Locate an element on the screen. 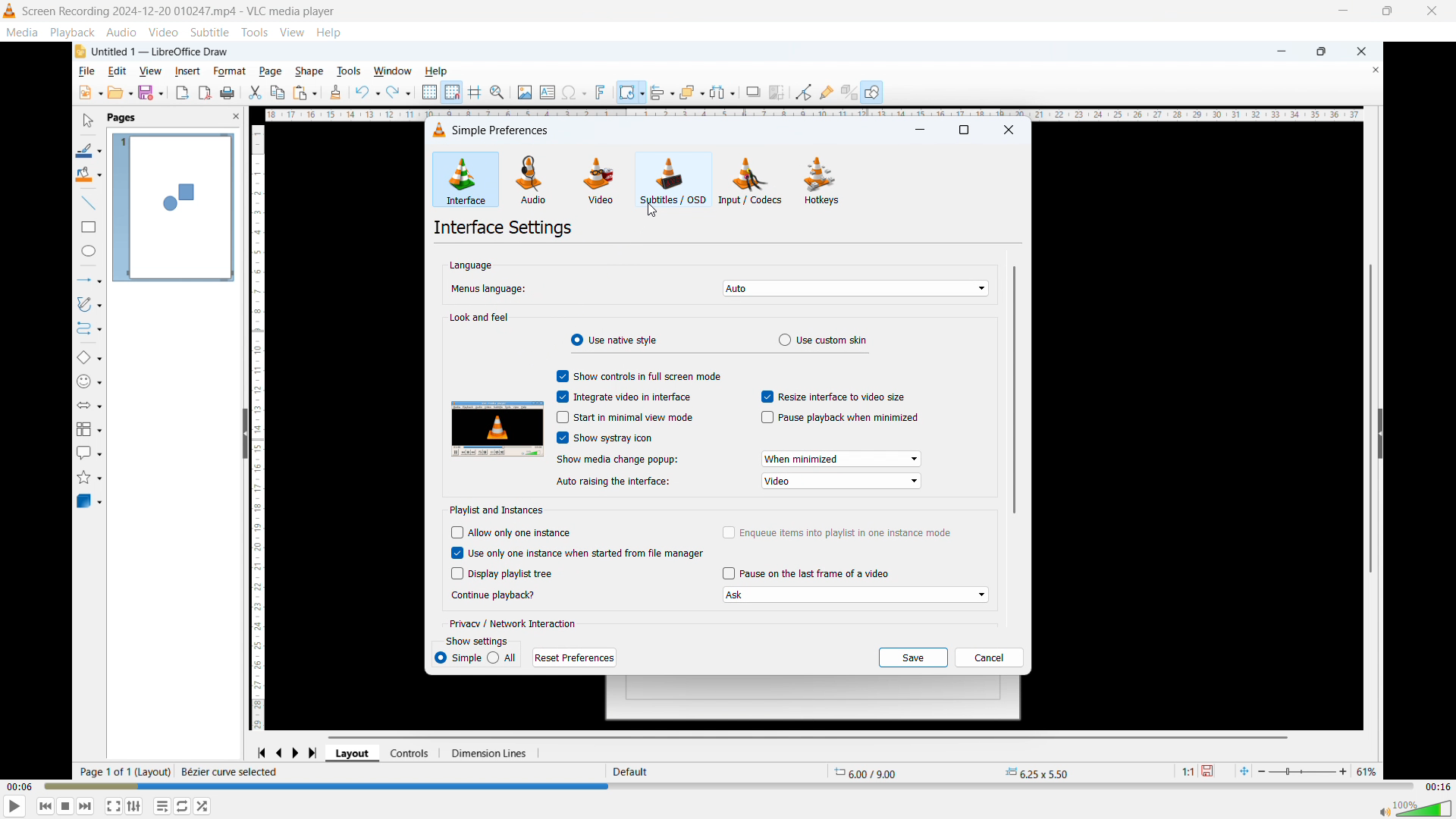  Vertical scroll bar  is located at coordinates (1014, 389).